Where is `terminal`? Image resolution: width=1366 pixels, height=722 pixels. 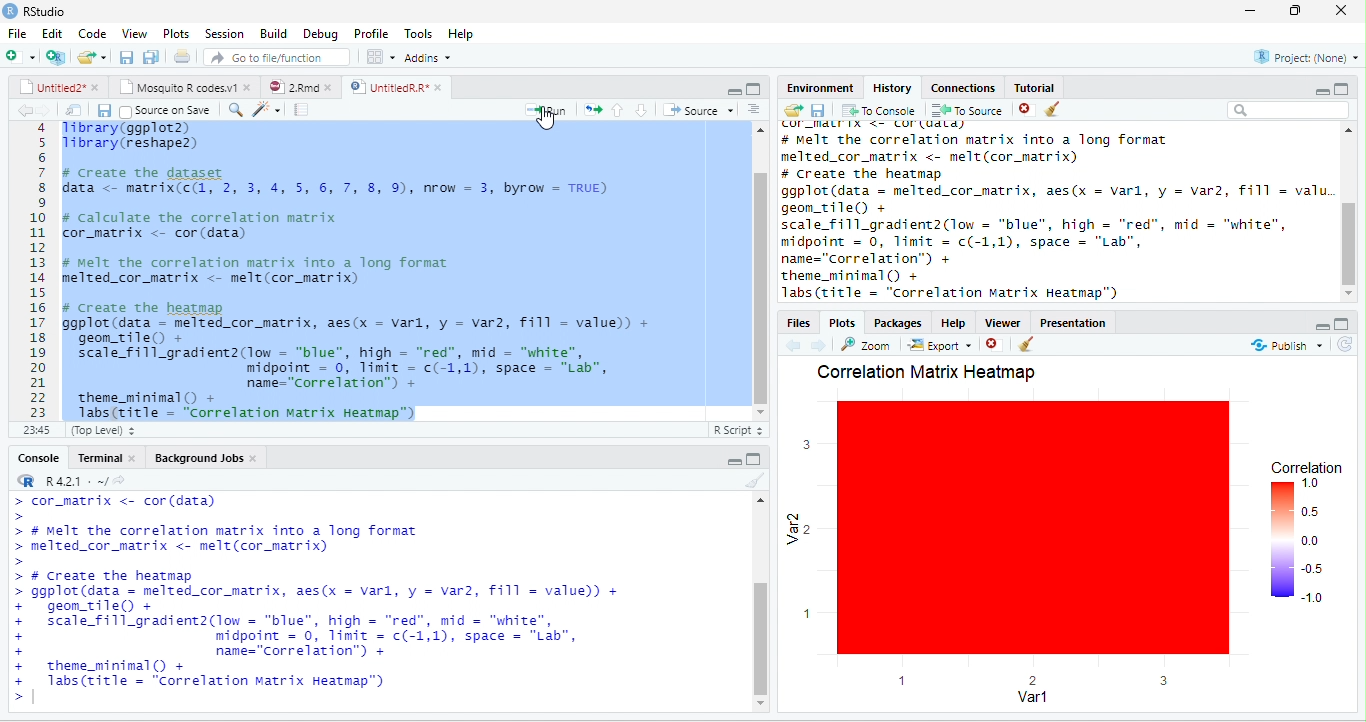
terminal is located at coordinates (110, 457).